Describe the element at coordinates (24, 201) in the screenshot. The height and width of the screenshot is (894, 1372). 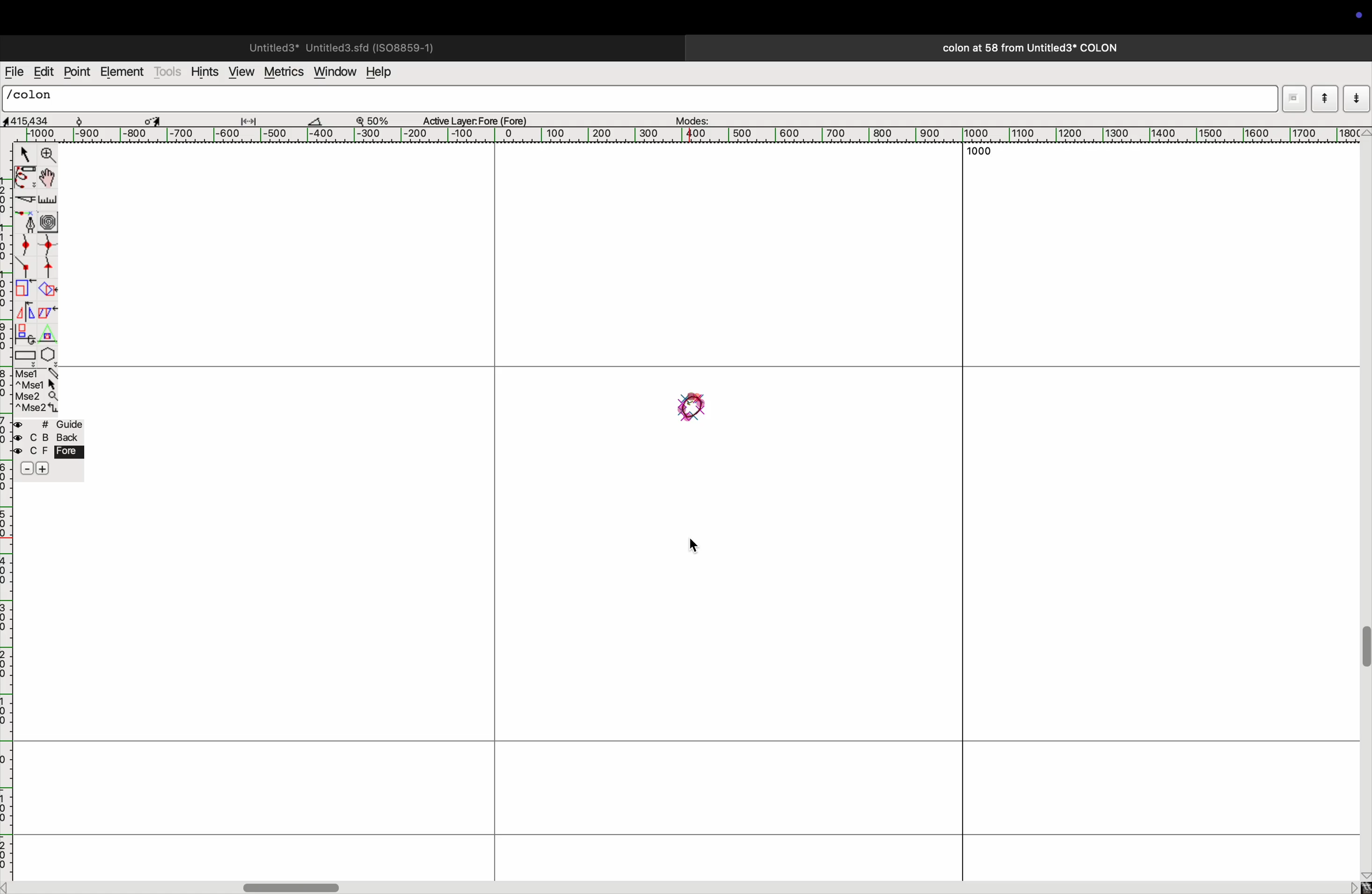
I see `knife` at that location.